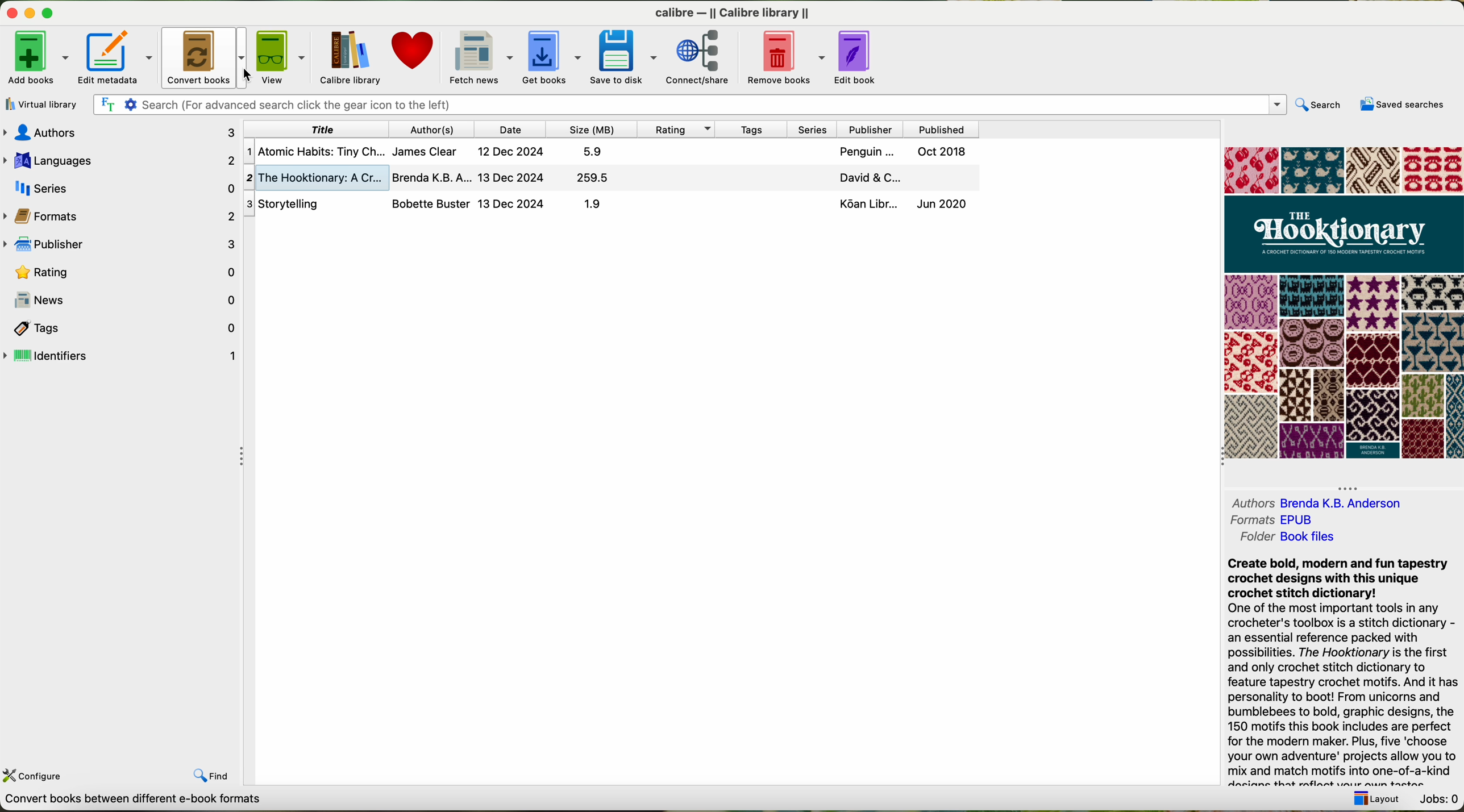 Image resolution: width=1464 pixels, height=812 pixels. What do you see at coordinates (1334, 669) in the screenshot?
I see `Create bold, modern and fun tapestry
crochet designs with this unique
crochet stitch dictionary!

One of the most important tools in any
crocheter's toolbox is a stitch dictionary -
an essential reference packed with
possibilities. The Hooktionary is the first
and only crochet stitch dictionary to
feature tapestry crochet motifs. And it has
personality to boot! From unicorns and
bumblebees to bold, graphic designs, the
150 motifs this book includes are perfect
for the modern maker. Plus, five ‘choose
your own adventure' projects allow you to
mix and match motifs into one-of-a-kind
anise Slant mwablasnt 2am 00 Siam Pandan` at bounding box center [1334, 669].